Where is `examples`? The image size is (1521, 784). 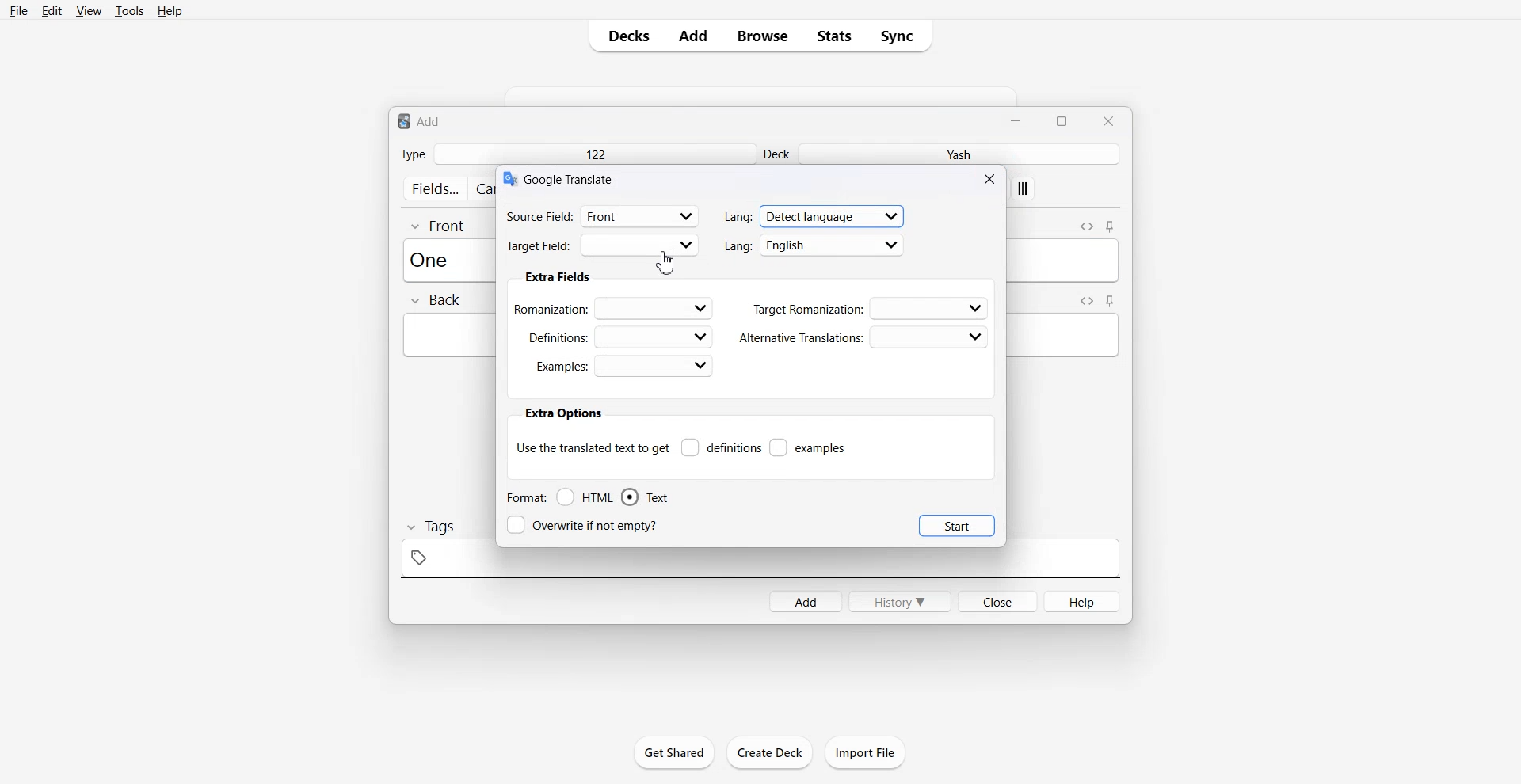 examples is located at coordinates (809, 447).